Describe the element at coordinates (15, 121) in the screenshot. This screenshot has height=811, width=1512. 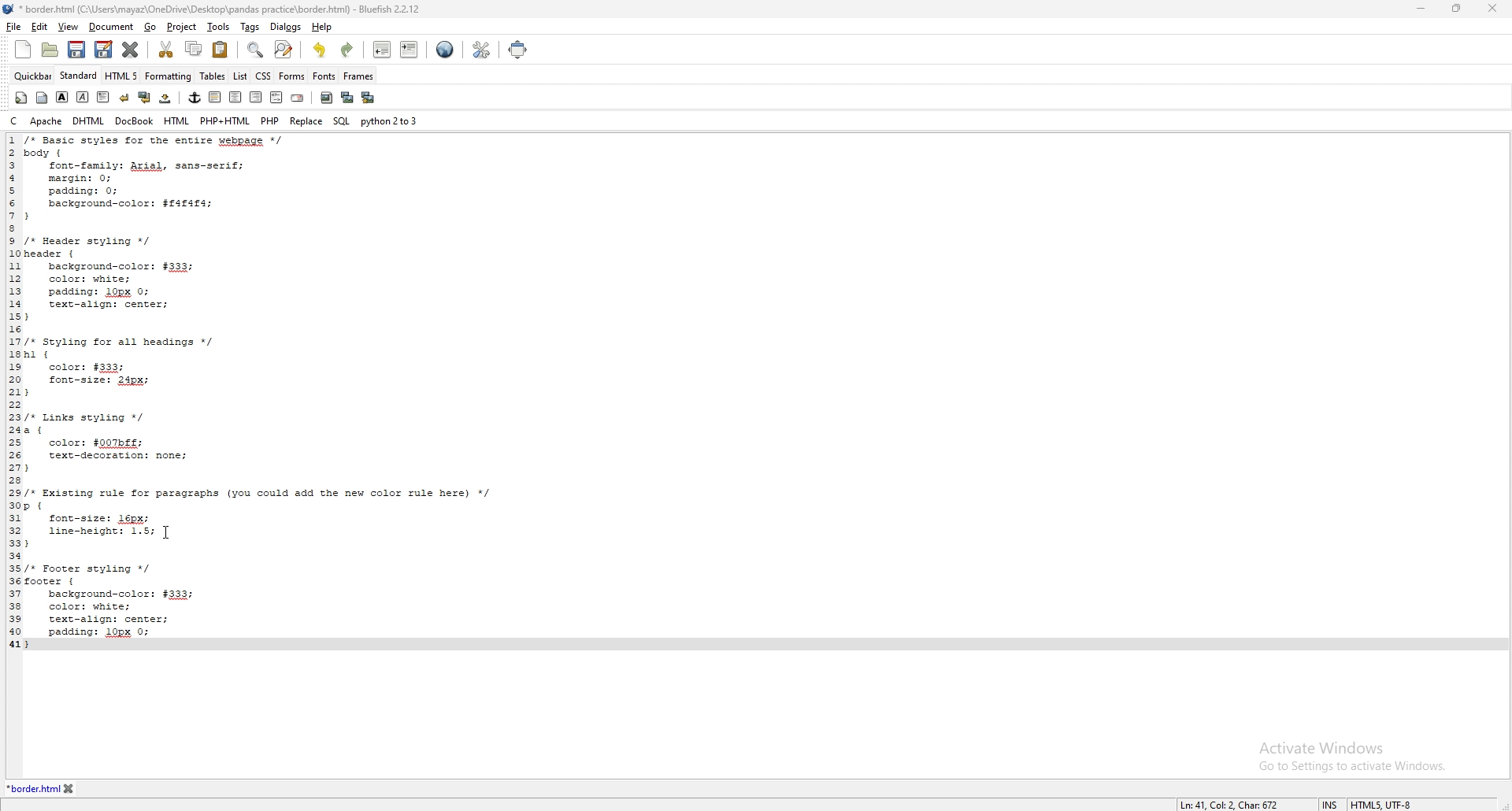
I see `c` at that location.